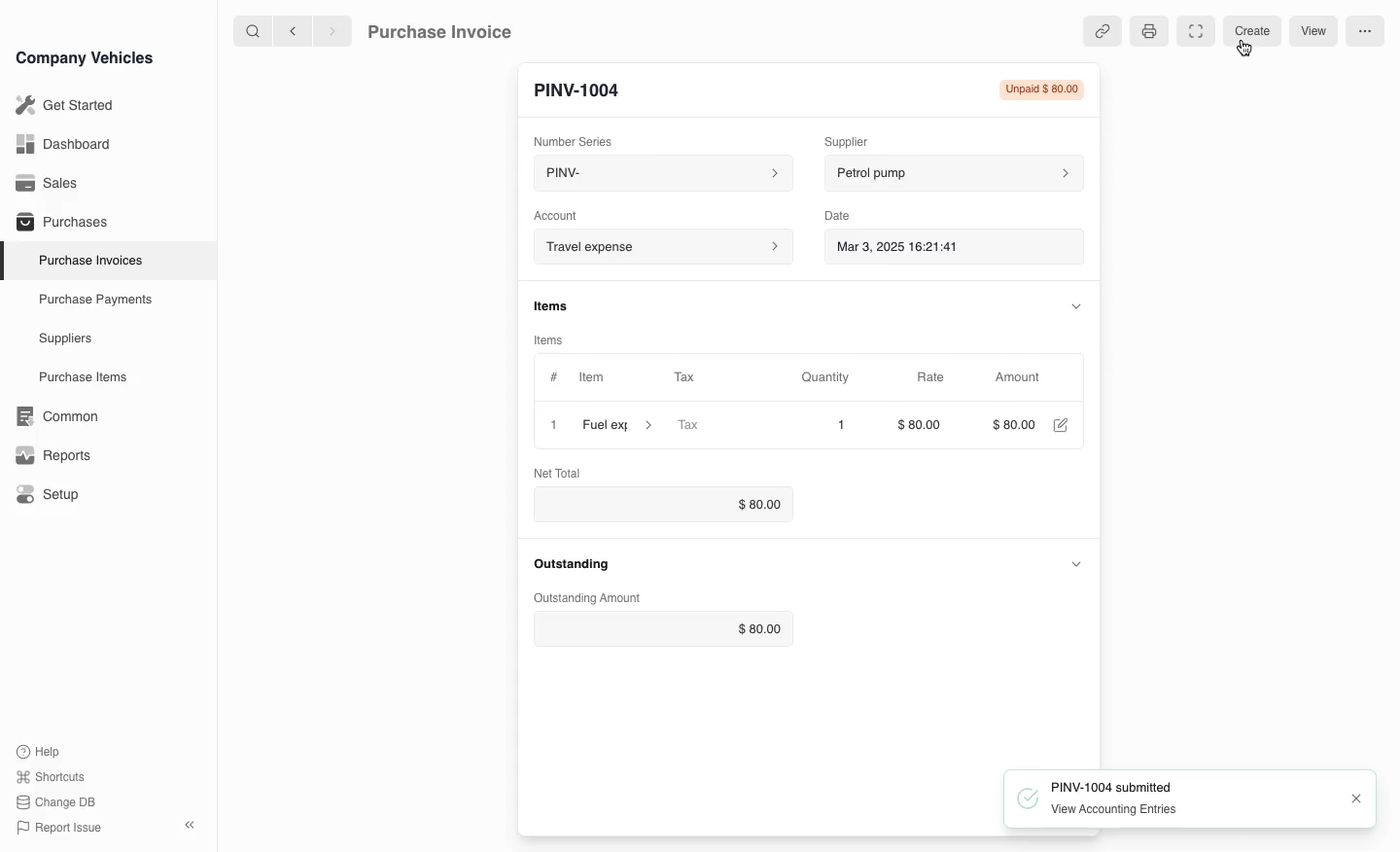  I want to click on close, so click(1356, 799).